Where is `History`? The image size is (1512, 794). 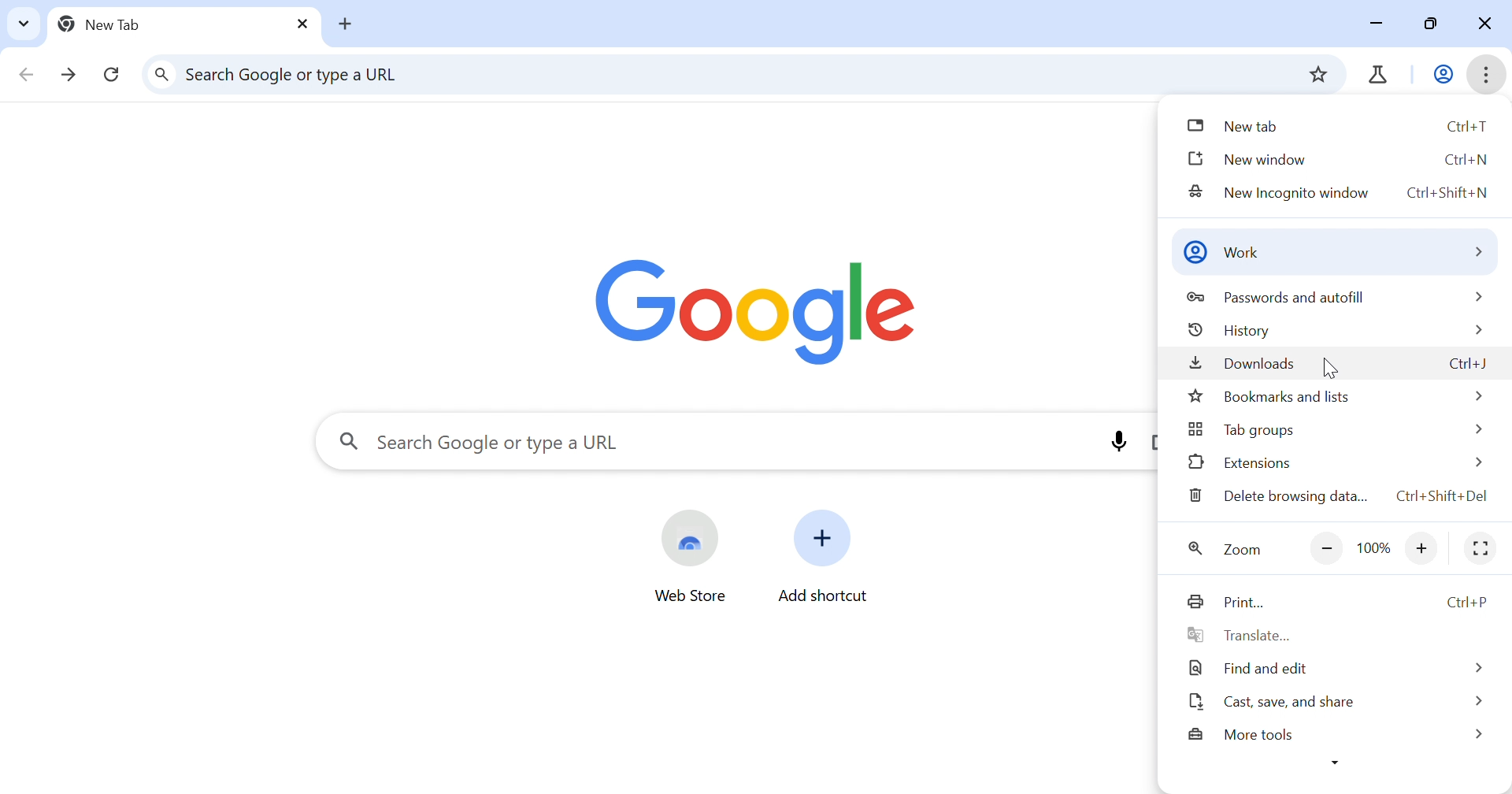 History is located at coordinates (1228, 331).